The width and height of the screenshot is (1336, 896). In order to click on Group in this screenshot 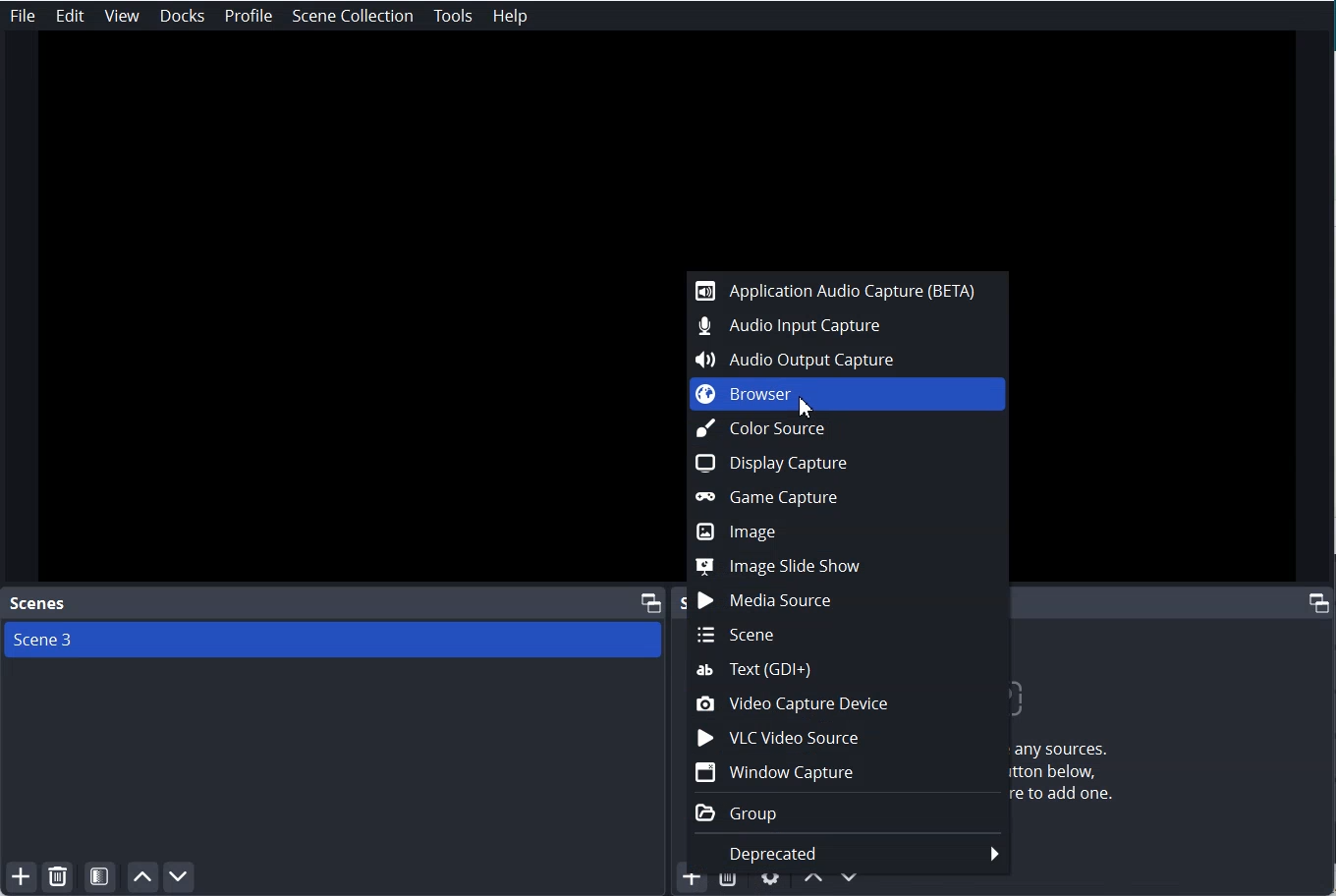, I will do `click(849, 812)`.